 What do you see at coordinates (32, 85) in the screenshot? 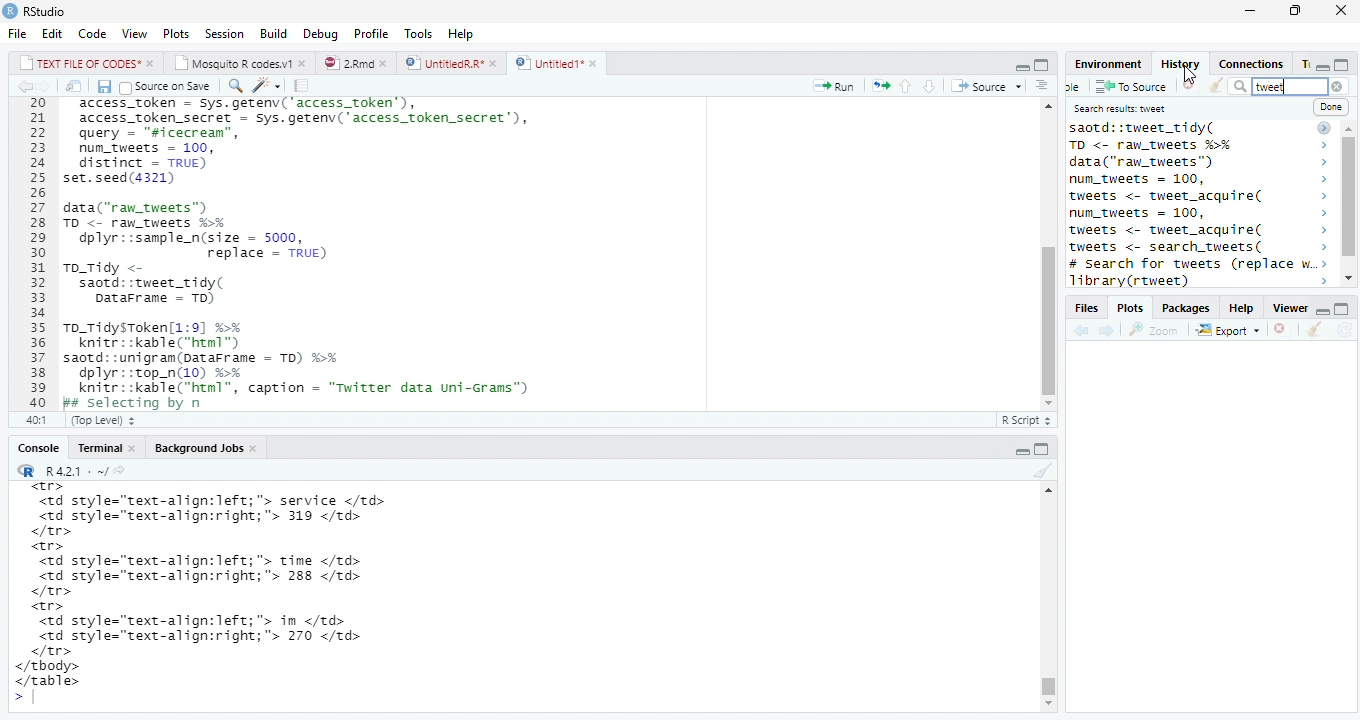
I see `go bckward` at bounding box center [32, 85].